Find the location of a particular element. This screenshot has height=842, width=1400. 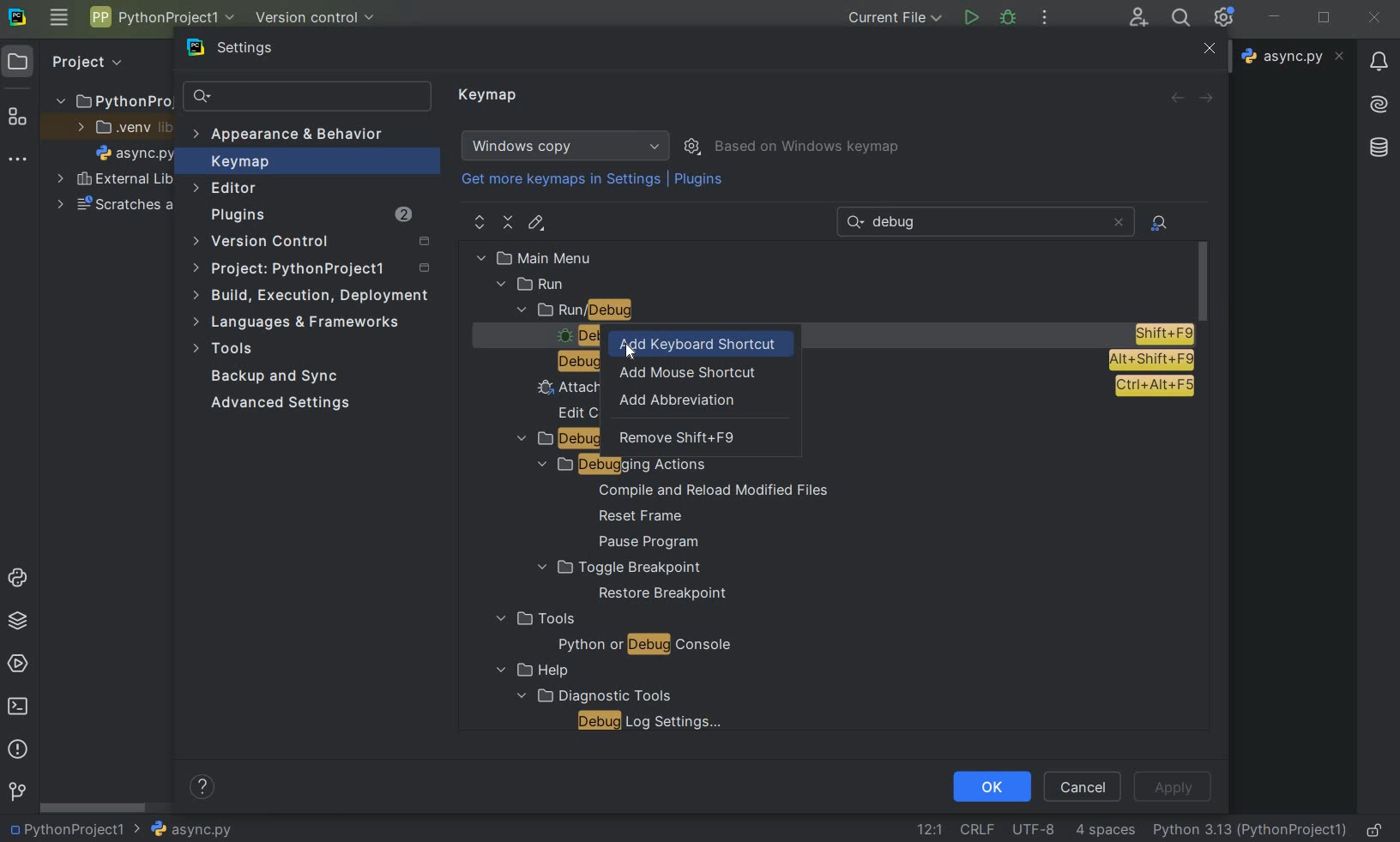

project icon is located at coordinates (18, 60).